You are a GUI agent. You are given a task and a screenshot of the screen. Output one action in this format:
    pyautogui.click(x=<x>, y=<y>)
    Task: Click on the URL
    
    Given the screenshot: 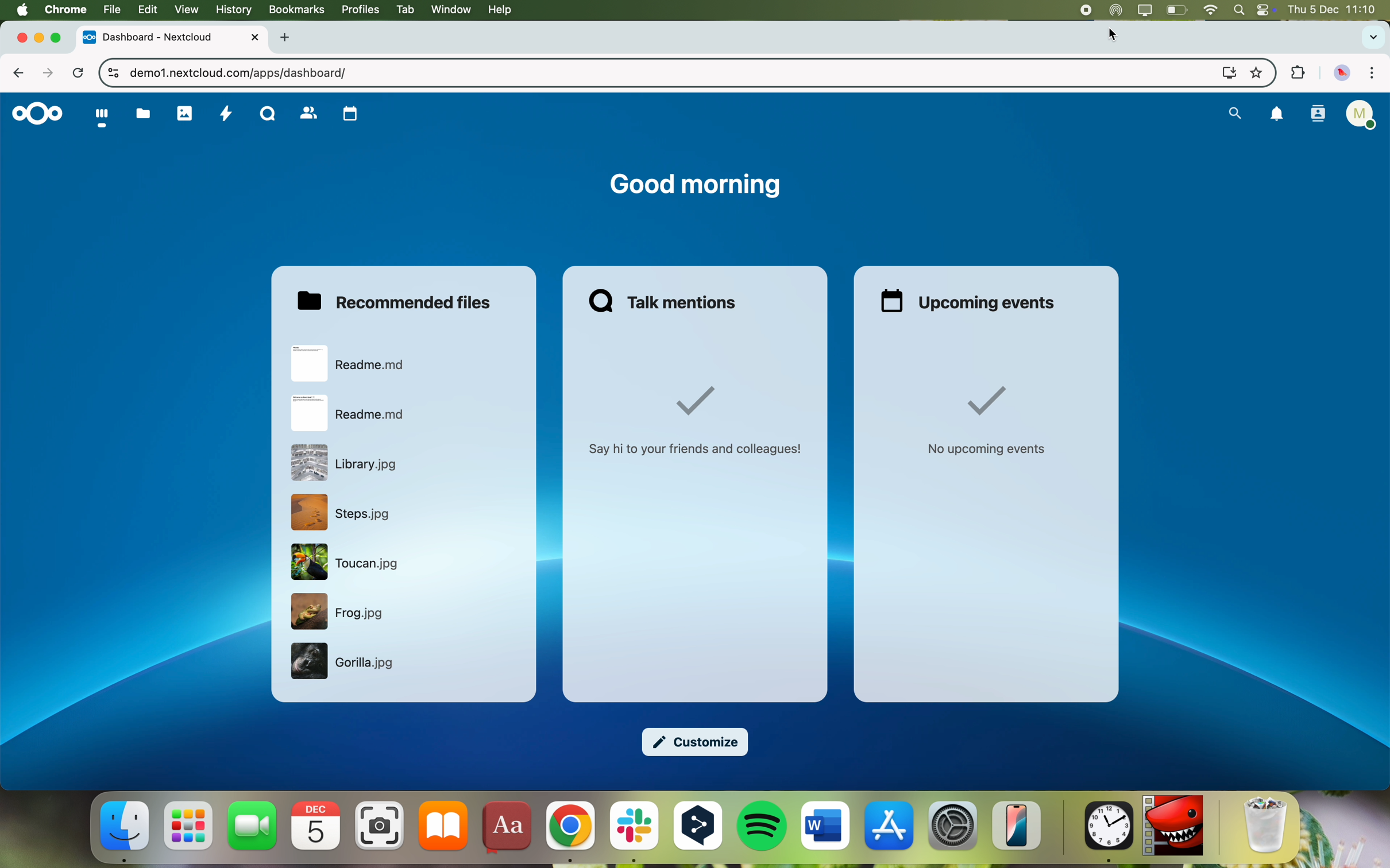 What is the action you would take?
    pyautogui.click(x=240, y=72)
    